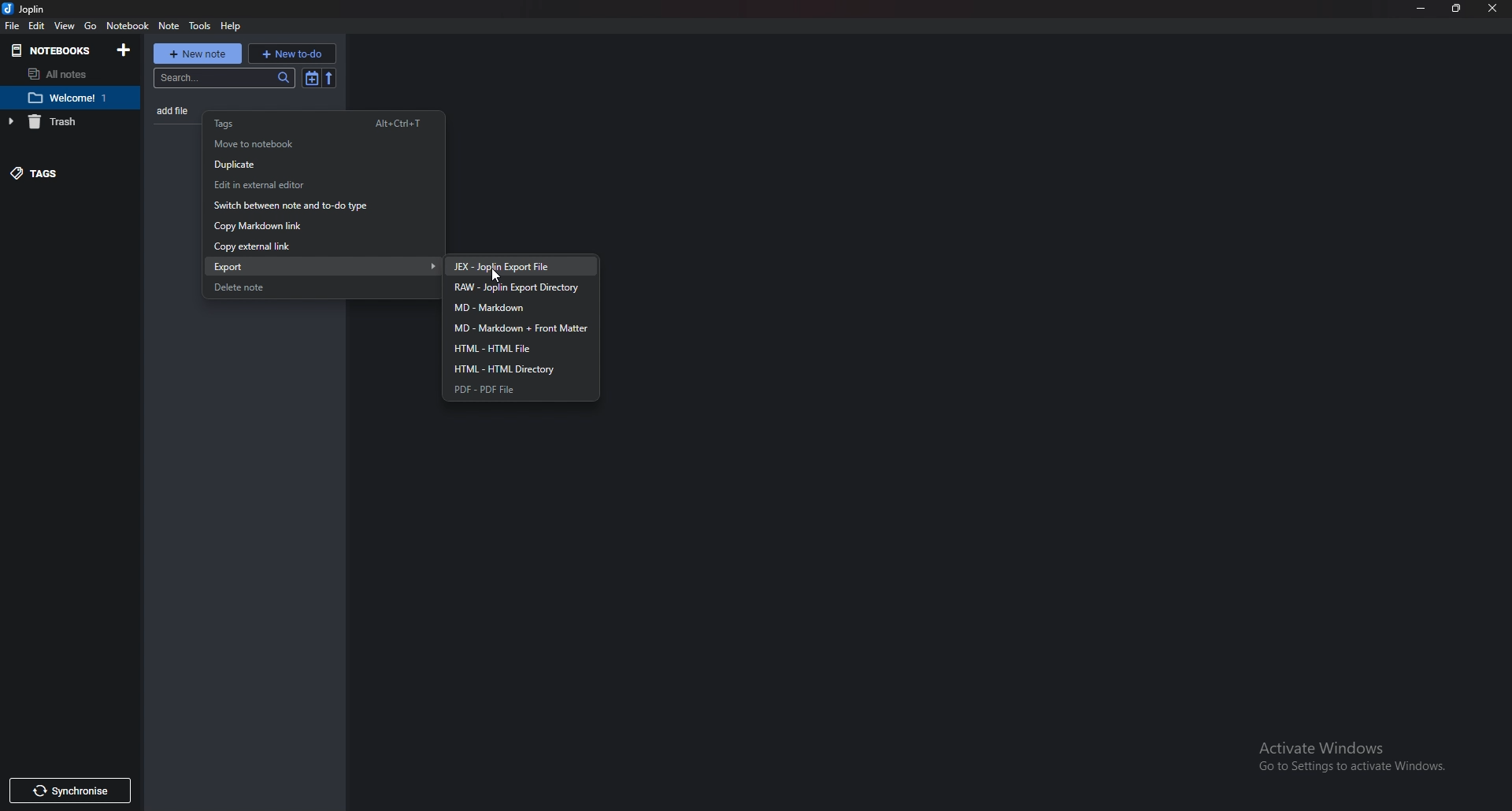 This screenshot has width=1512, height=811. I want to click on H T M L directory, so click(519, 368).